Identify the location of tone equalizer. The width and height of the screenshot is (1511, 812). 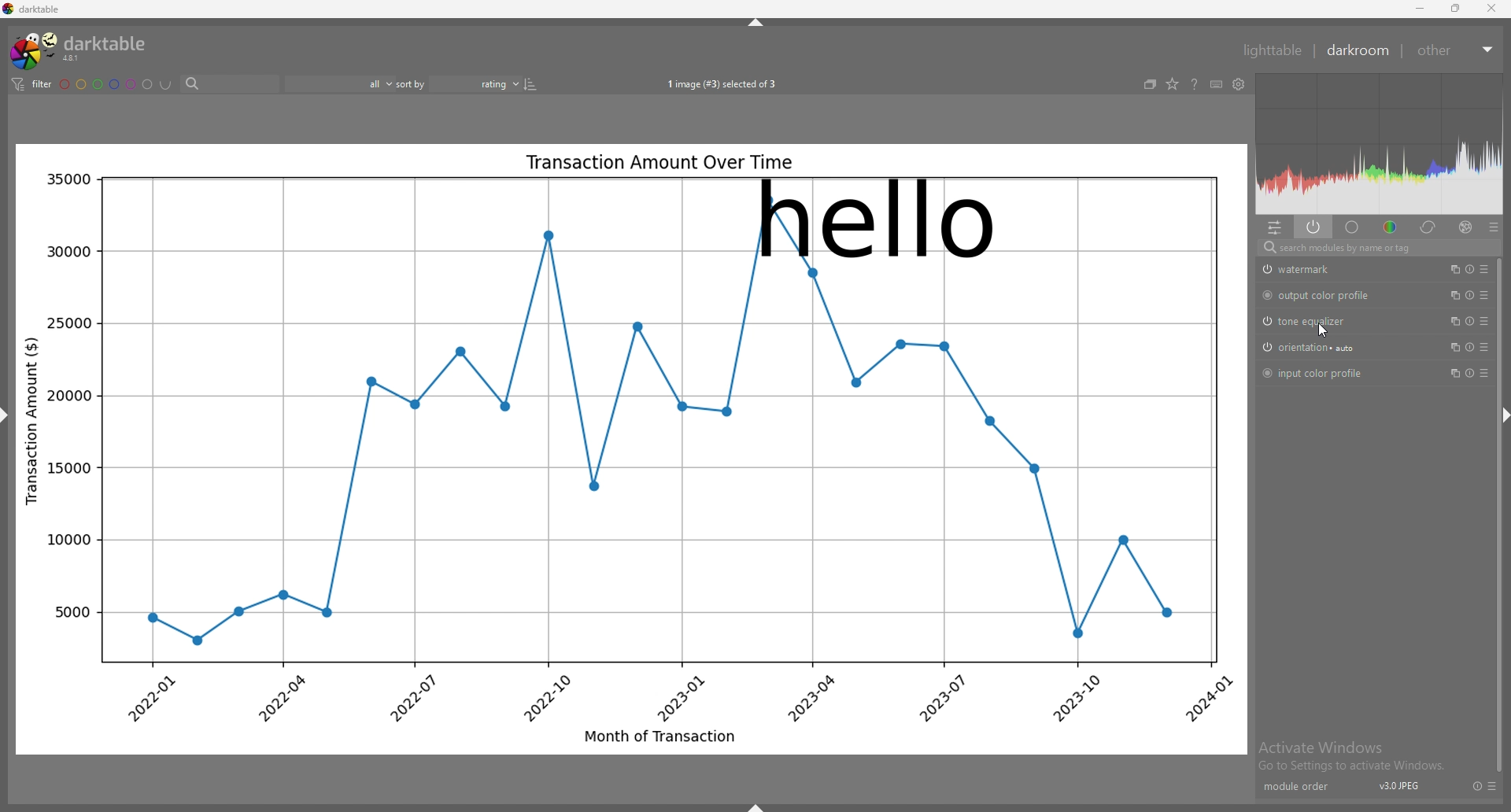
(1315, 322).